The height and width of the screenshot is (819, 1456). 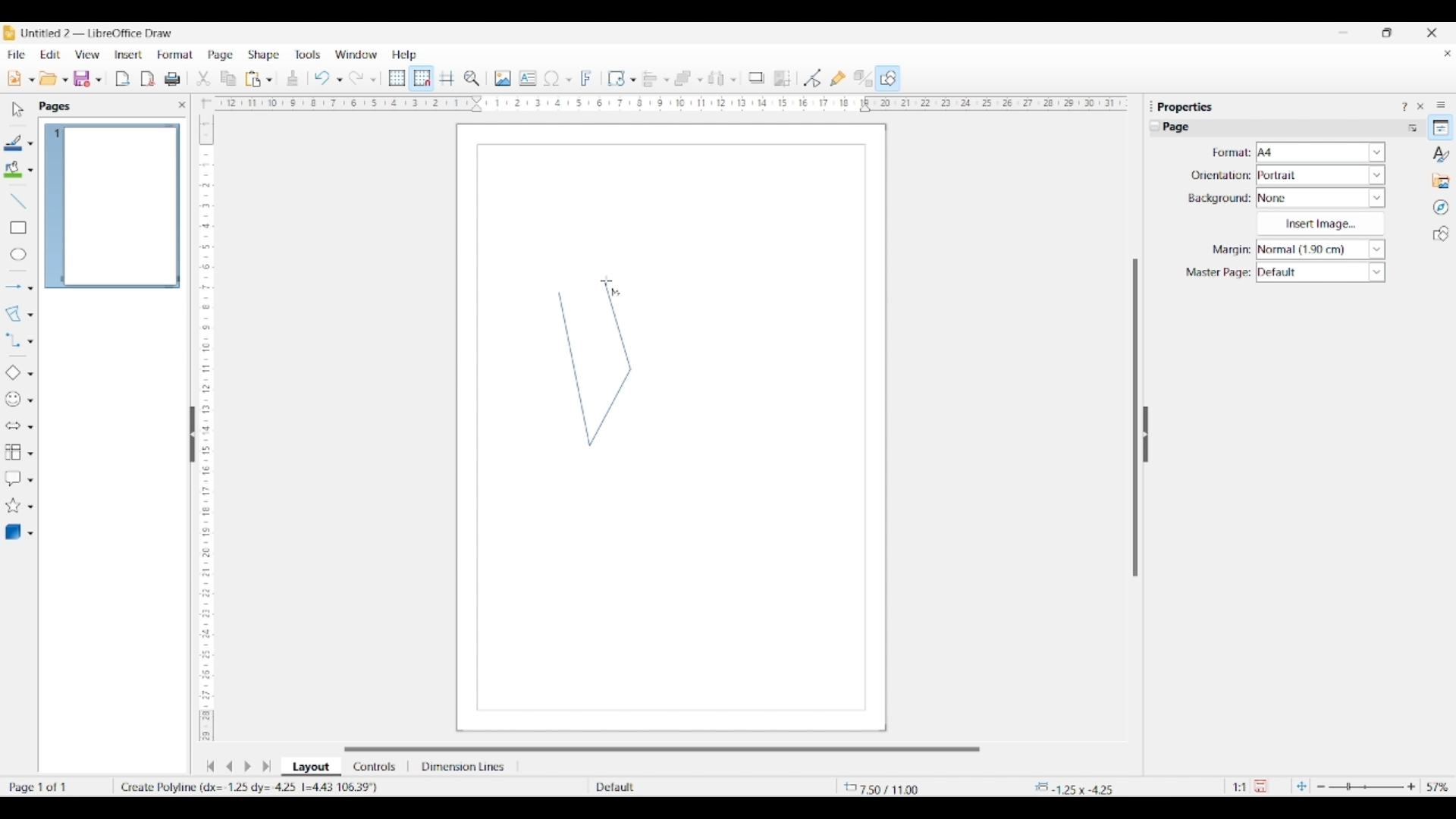 I want to click on Hide left sidebar, so click(x=193, y=435).